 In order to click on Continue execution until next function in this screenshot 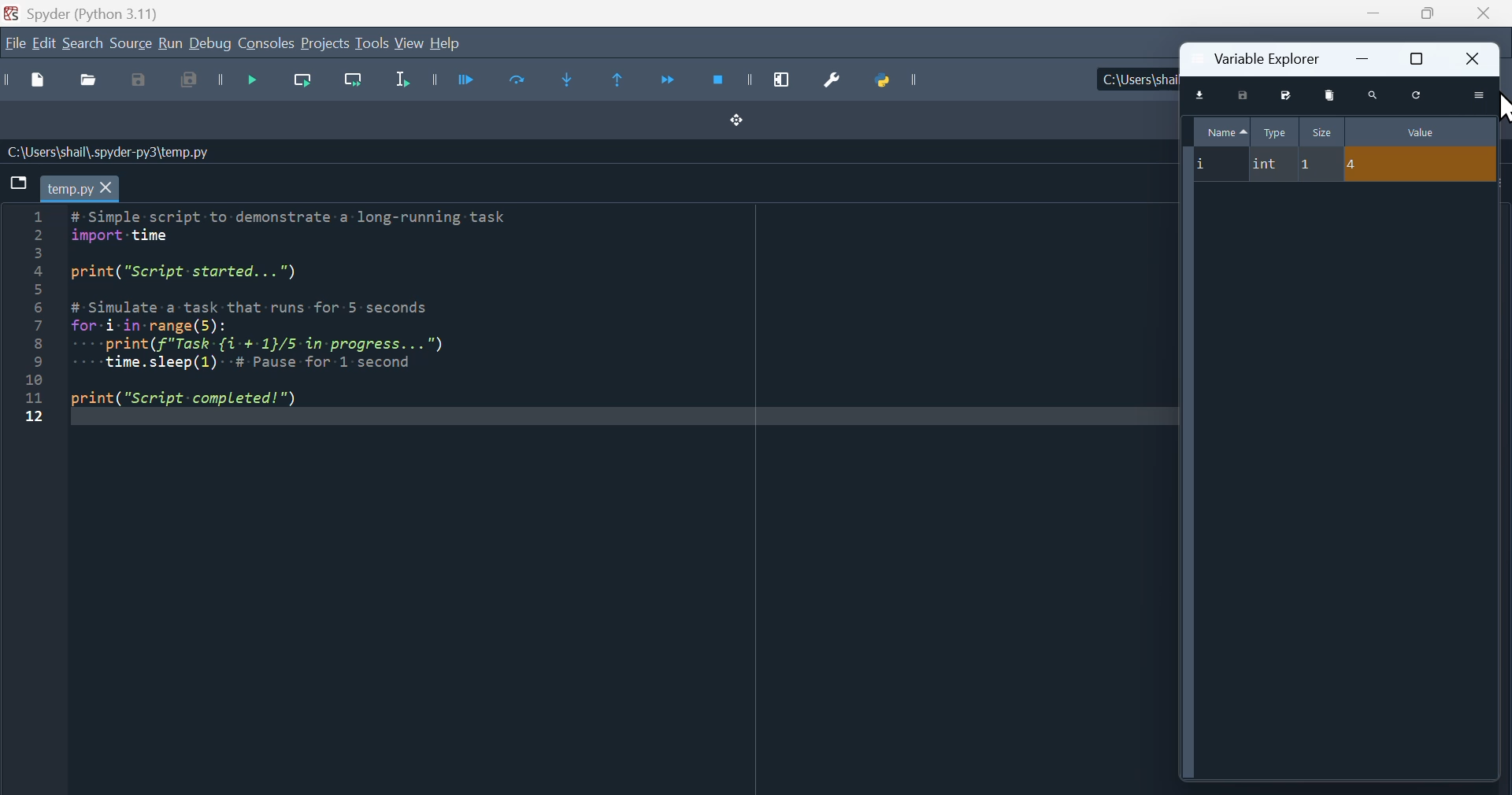, I will do `click(667, 83)`.